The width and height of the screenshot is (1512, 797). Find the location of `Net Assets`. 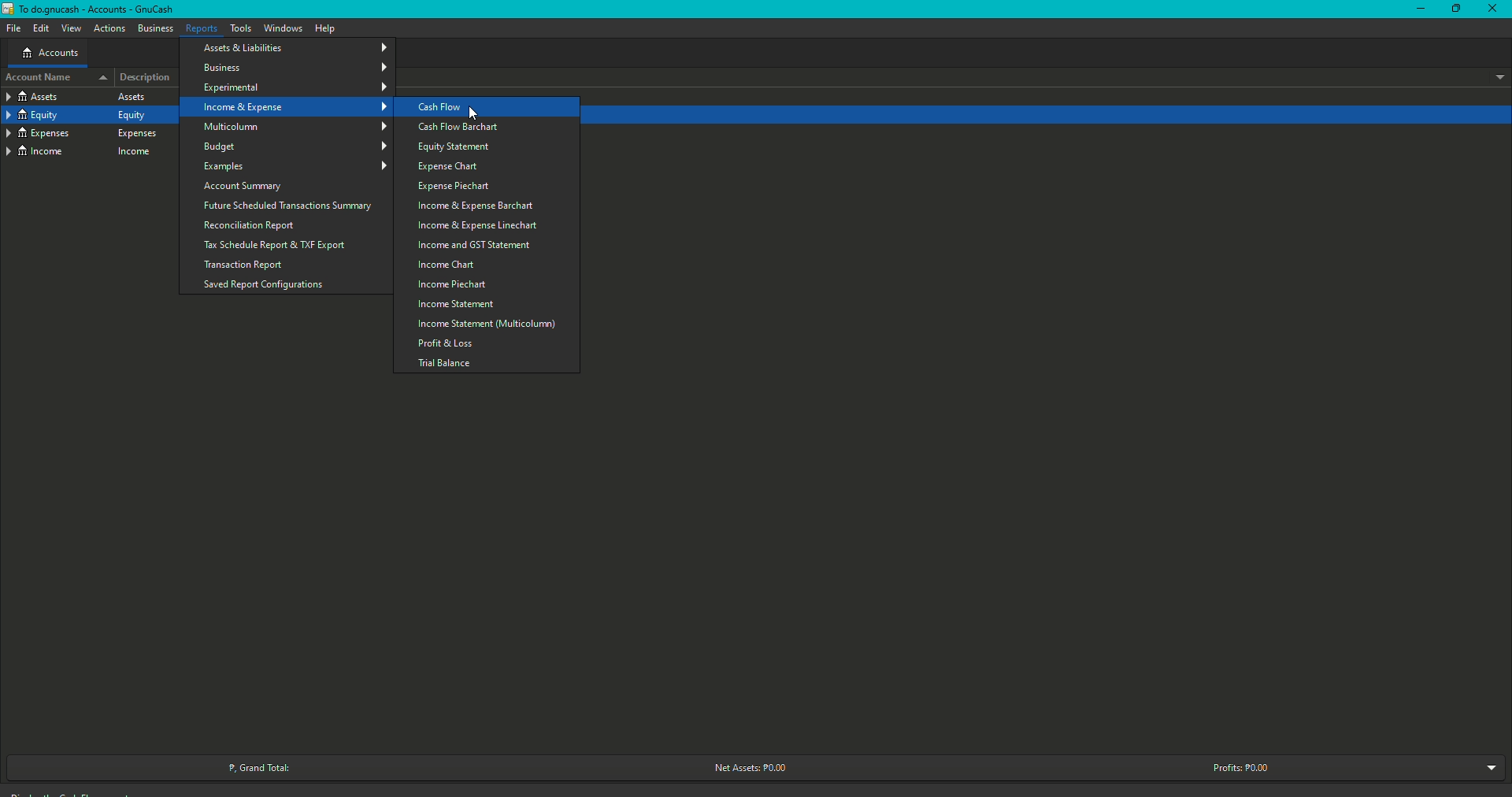

Net Assets is located at coordinates (753, 768).